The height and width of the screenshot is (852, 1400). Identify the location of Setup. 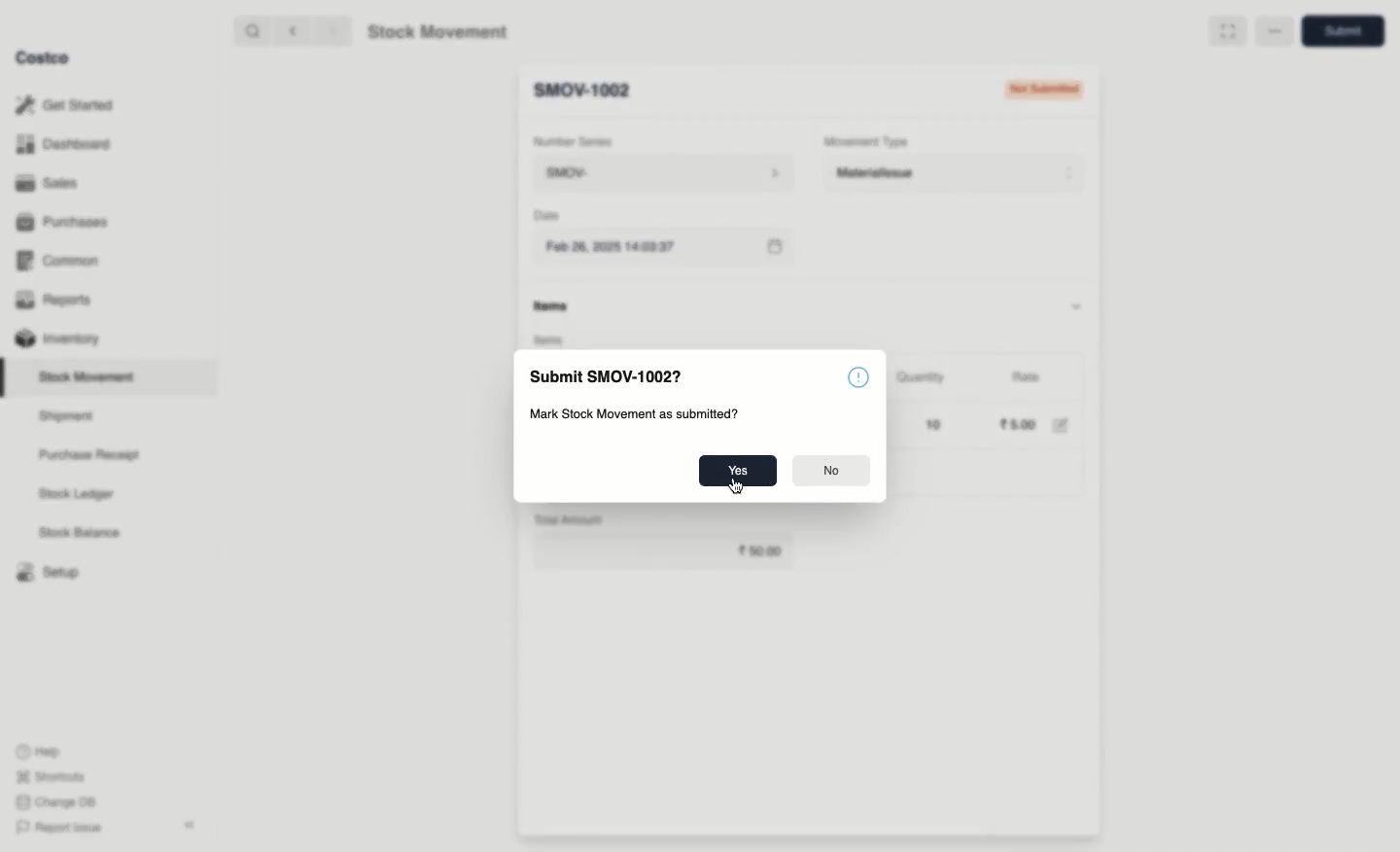
(46, 570).